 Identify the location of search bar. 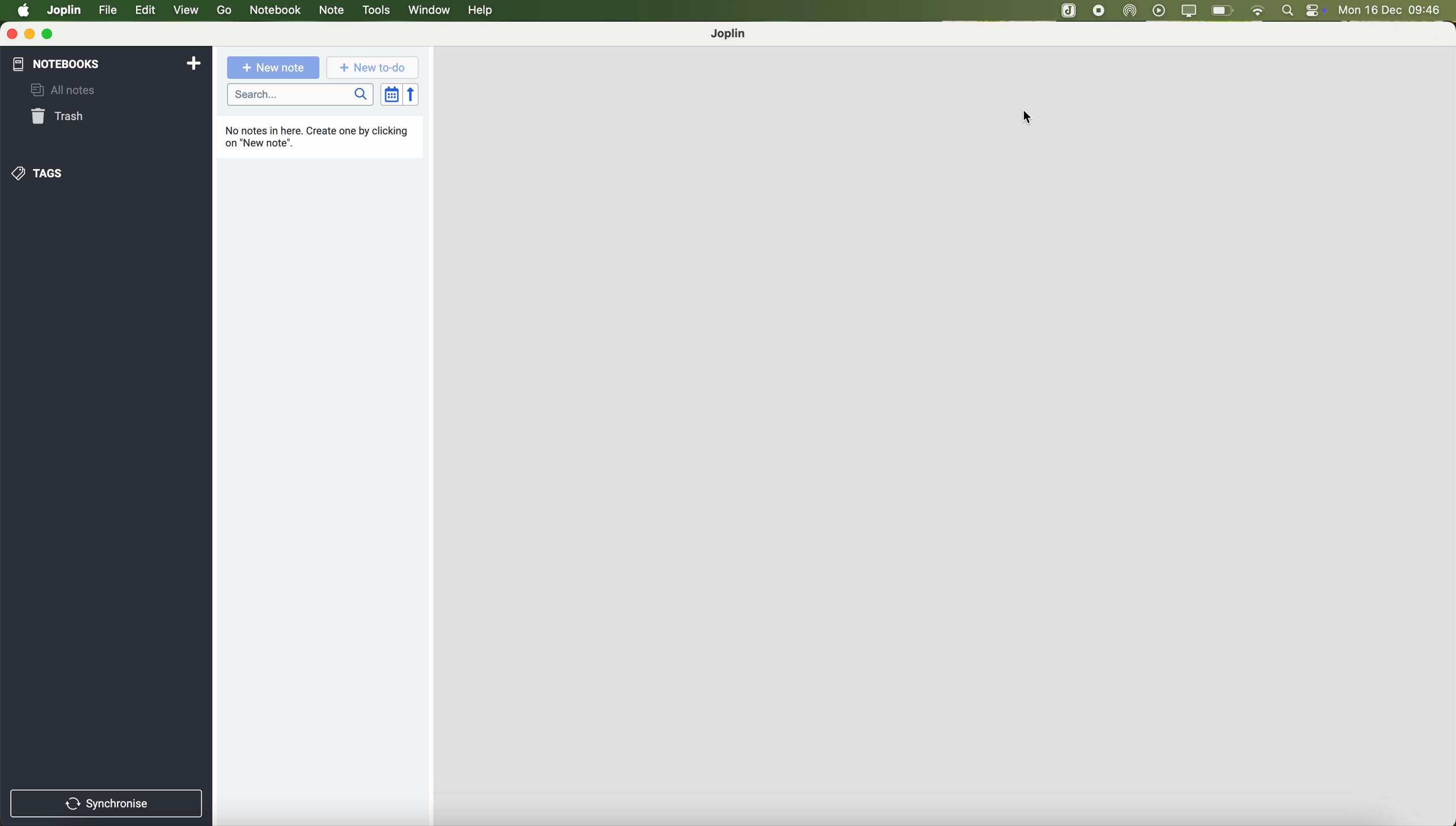
(301, 95).